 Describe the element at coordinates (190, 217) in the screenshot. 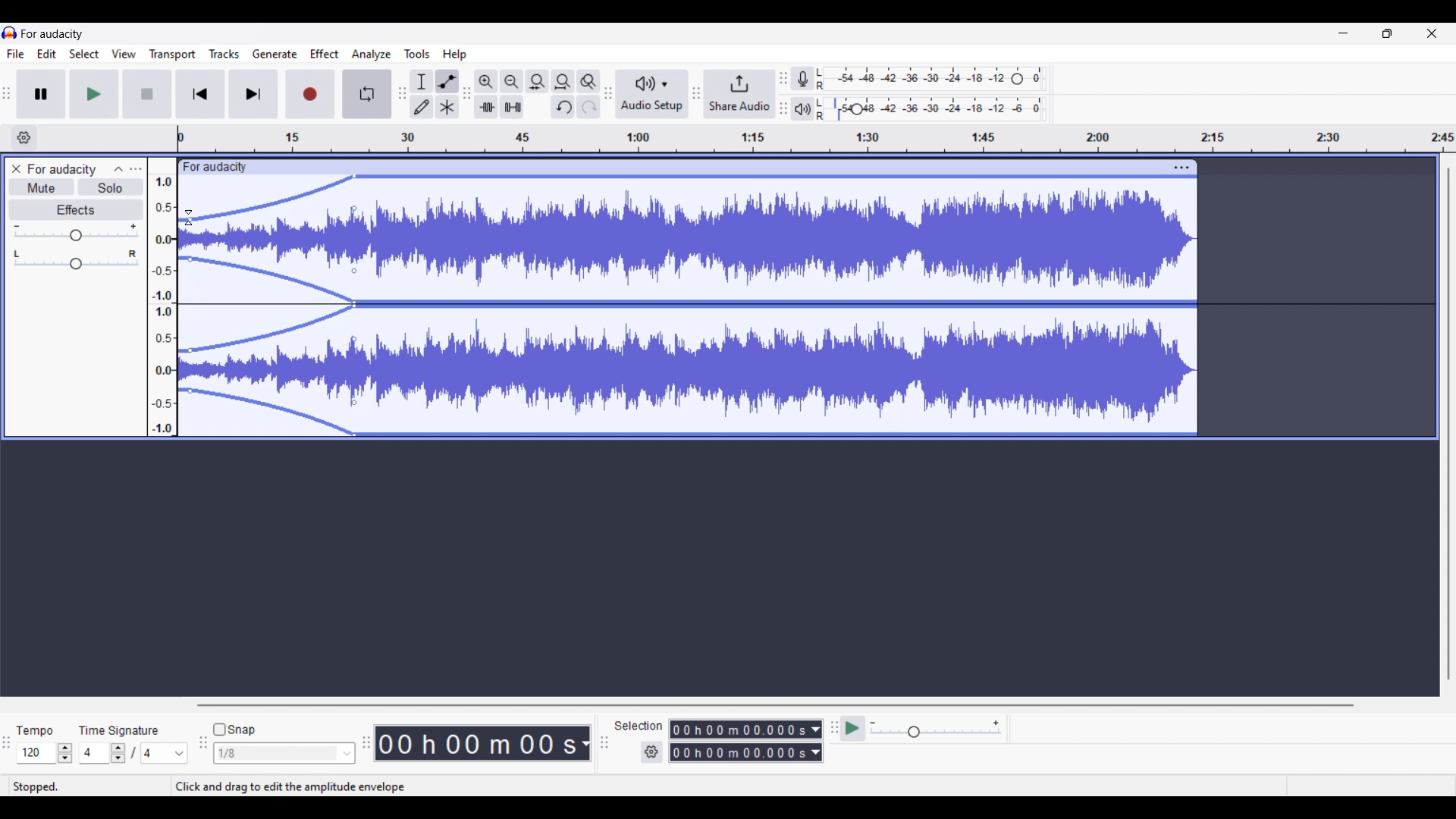

I see `cursor` at that location.